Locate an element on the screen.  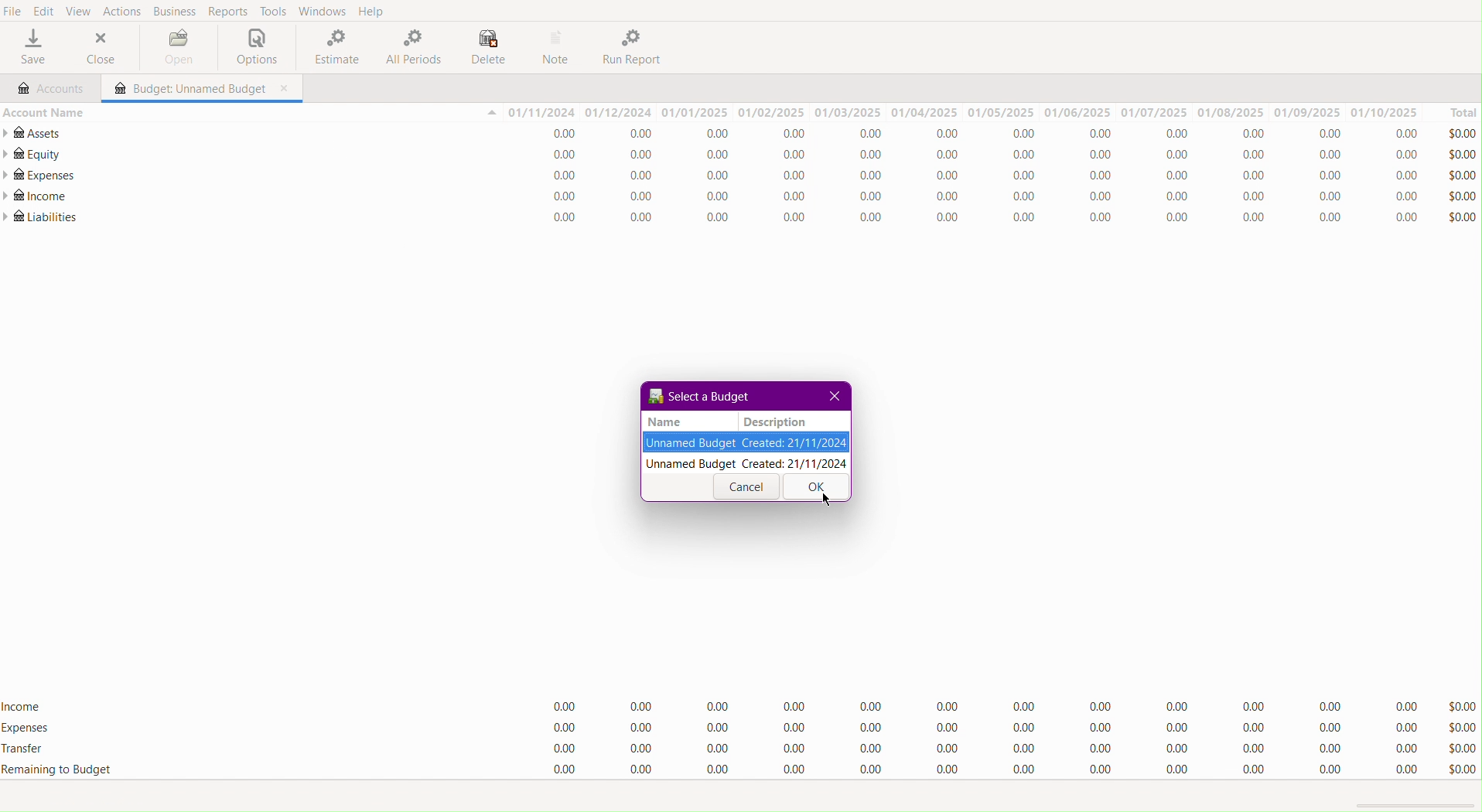
Options is located at coordinates (253, 48).